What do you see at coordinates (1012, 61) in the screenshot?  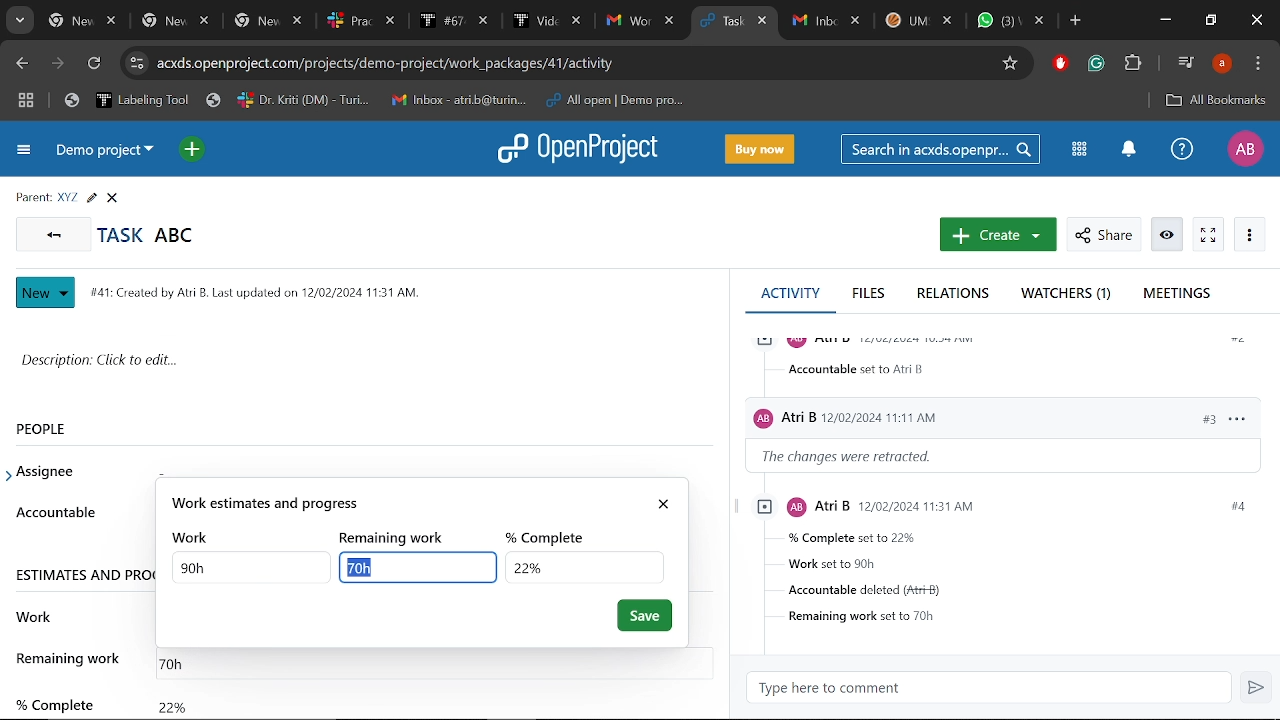 I see `Add/remove bookmark` at bounding box center [1012, 61].